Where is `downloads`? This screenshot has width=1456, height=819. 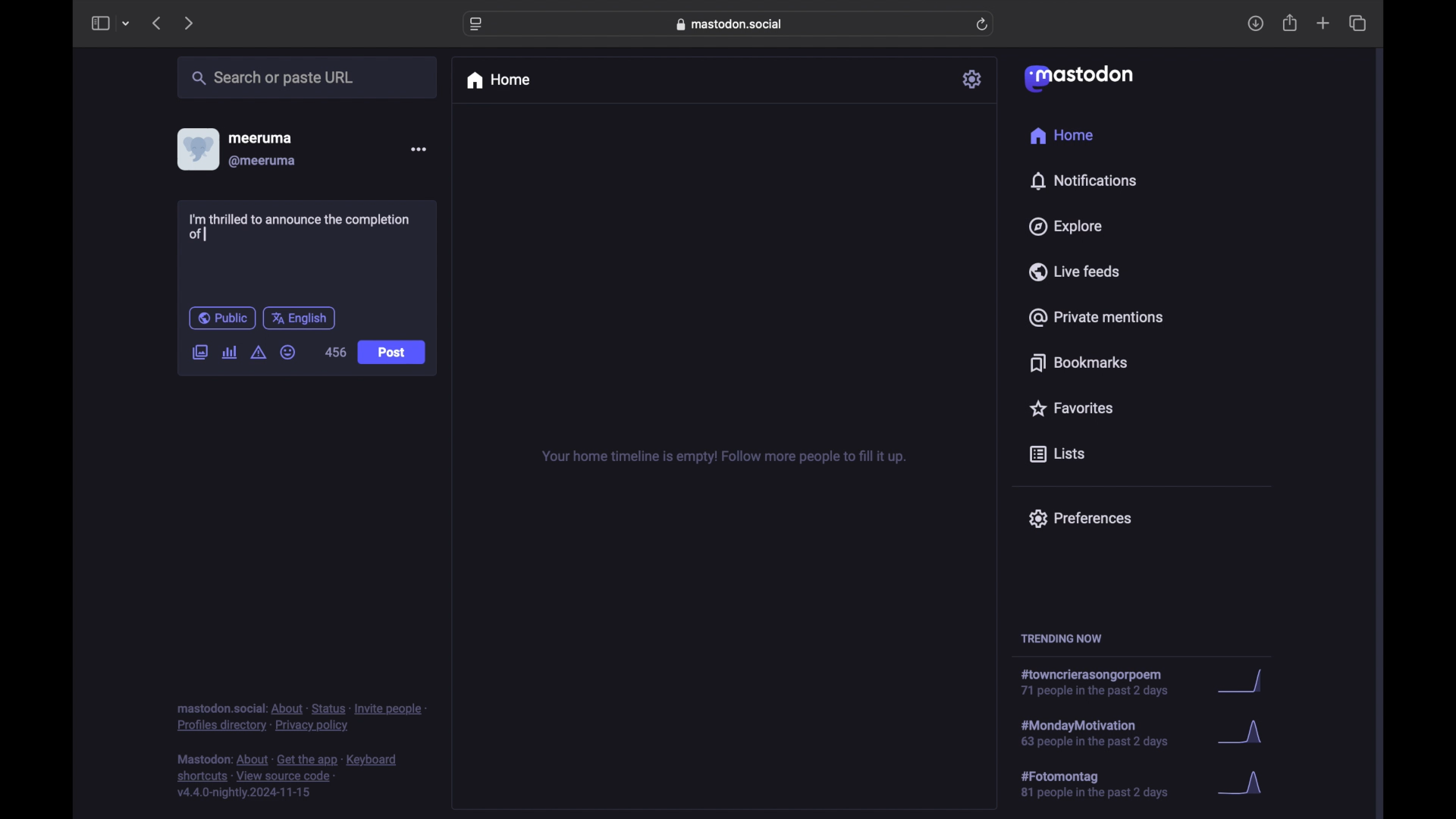 downloads is located at coordinates (1255, 24).